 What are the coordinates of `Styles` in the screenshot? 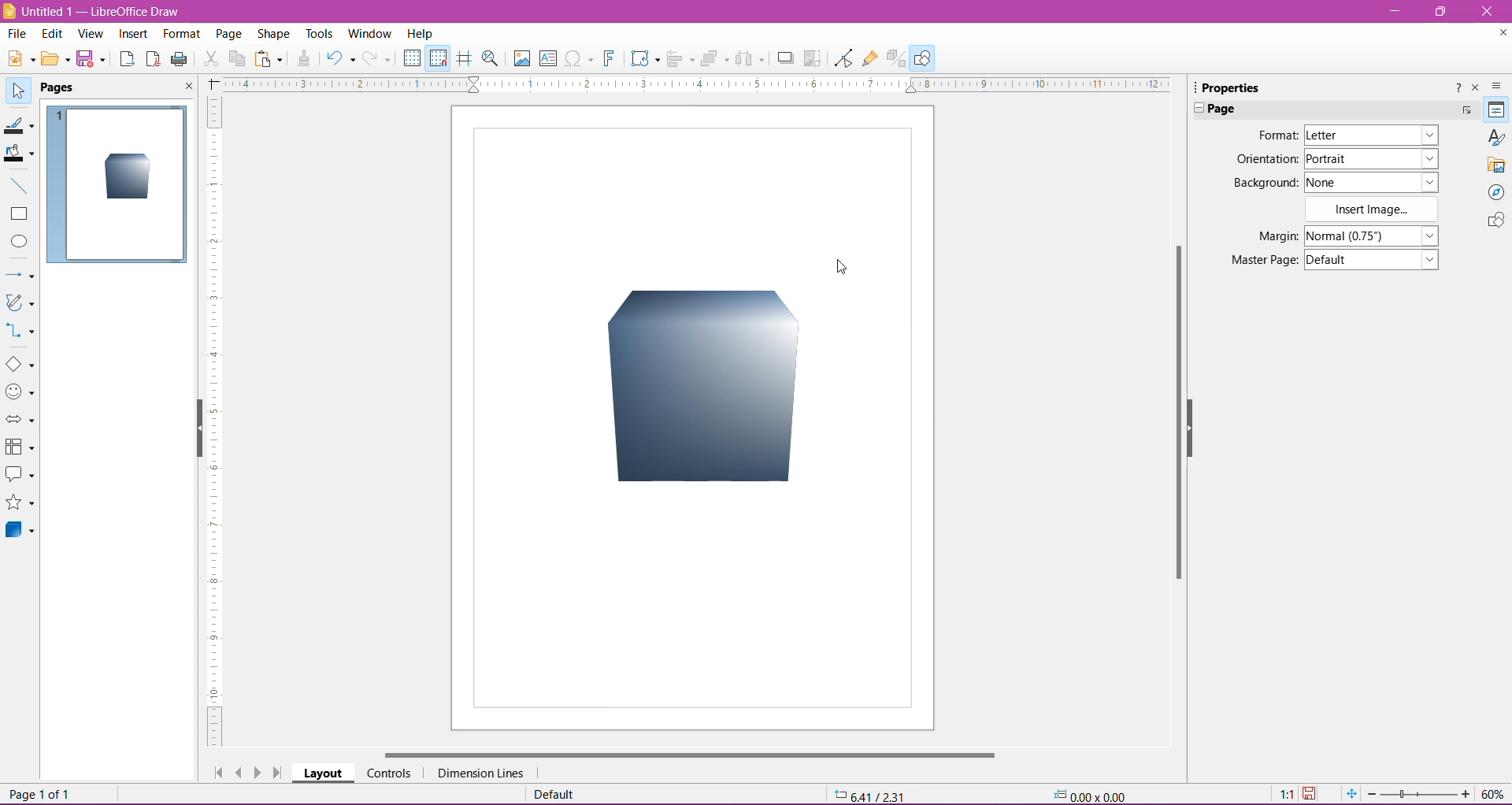 It's located at (1495, 137).